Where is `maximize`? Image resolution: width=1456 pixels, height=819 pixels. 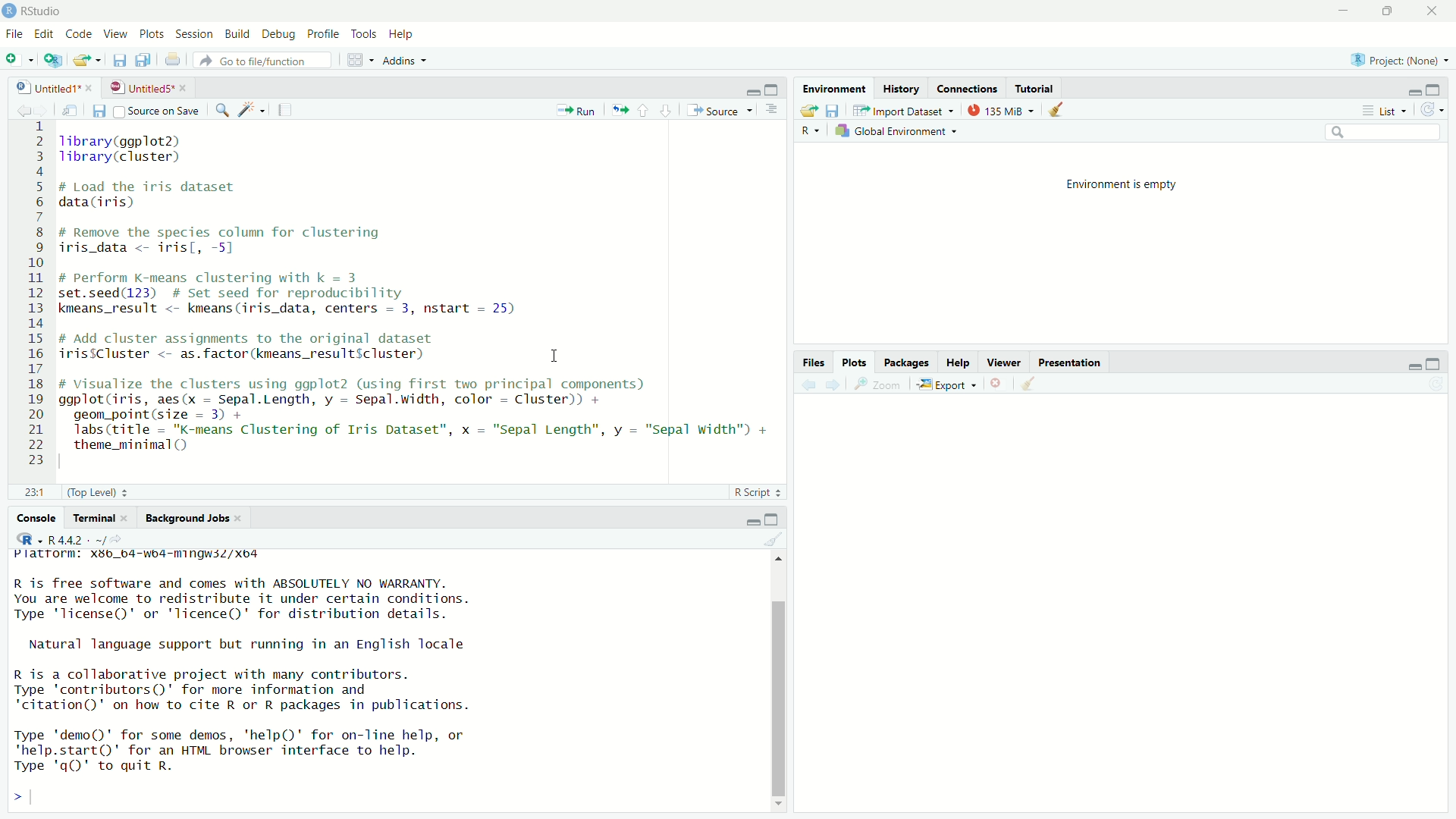 maximize is located at coordinates (1439, 87).